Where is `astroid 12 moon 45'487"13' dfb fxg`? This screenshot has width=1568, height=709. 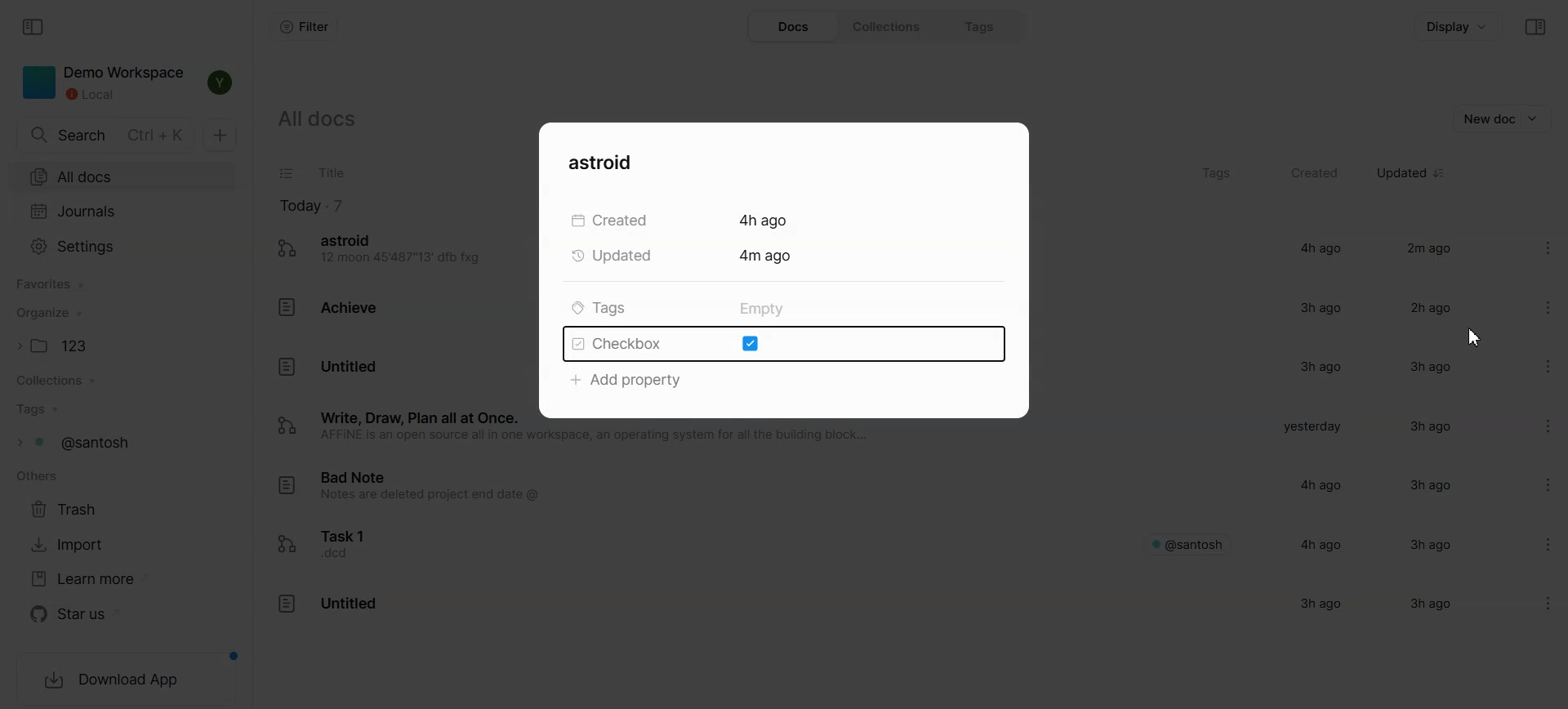 astroid 12 moon 45'487"13' dfb fxg is located at coordinates (384, 251).